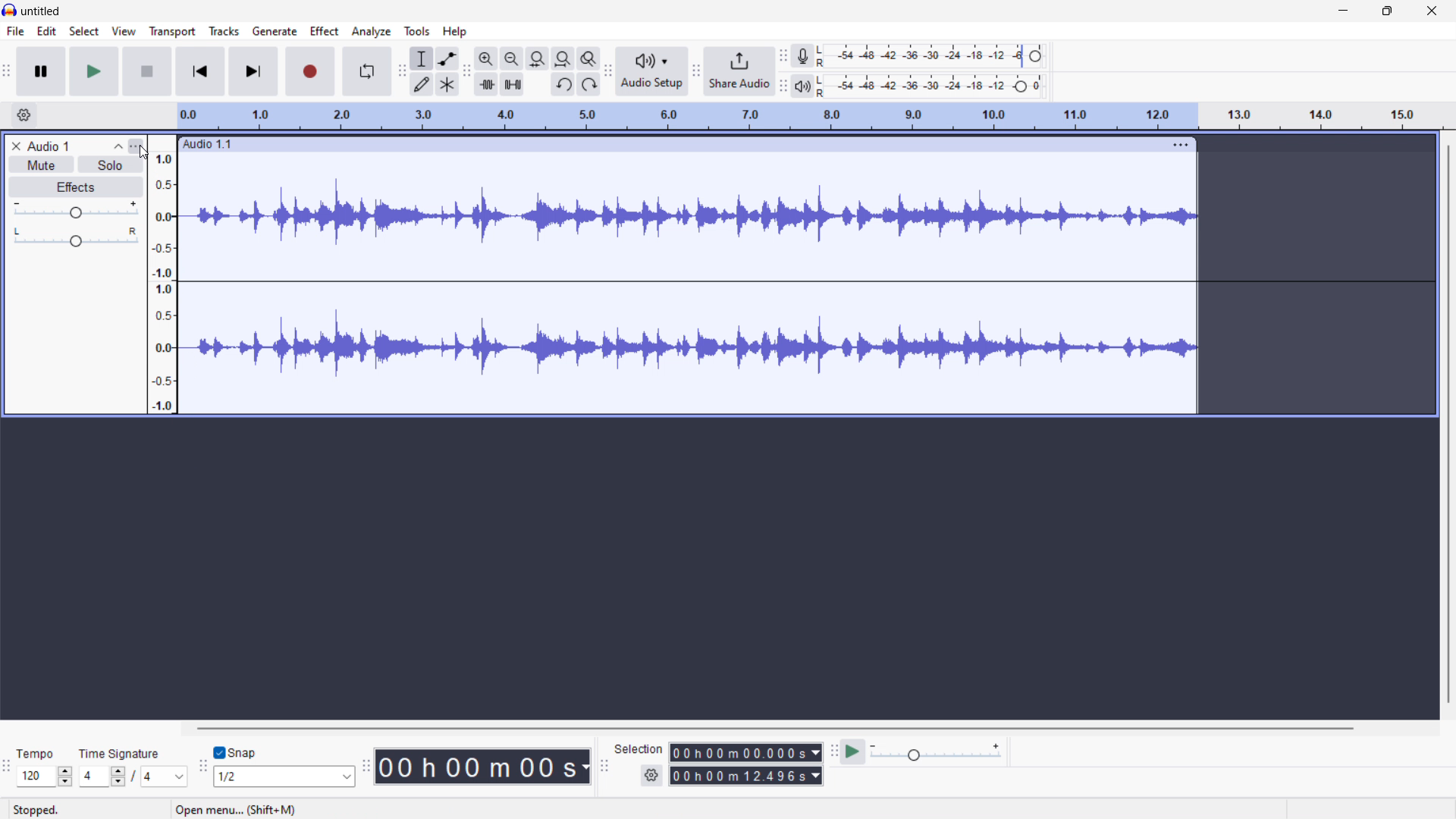 Image resolution: width=1456 pixels, height=819 pixels. What do you see at coordinates (84, 31) in the screenshot?
I see `select` at bounding box center [84, 31].